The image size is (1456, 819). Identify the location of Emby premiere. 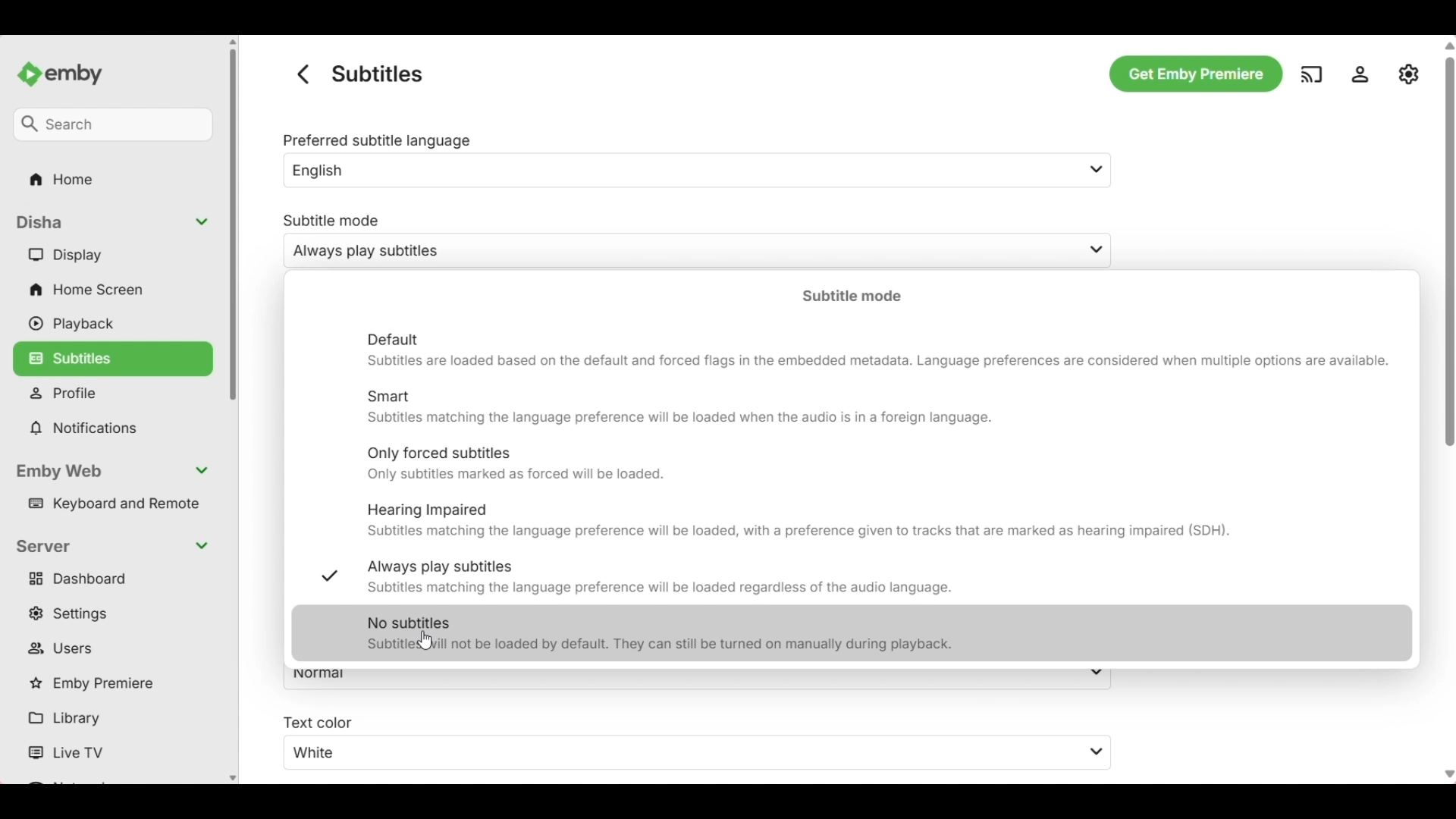
(115, 684).